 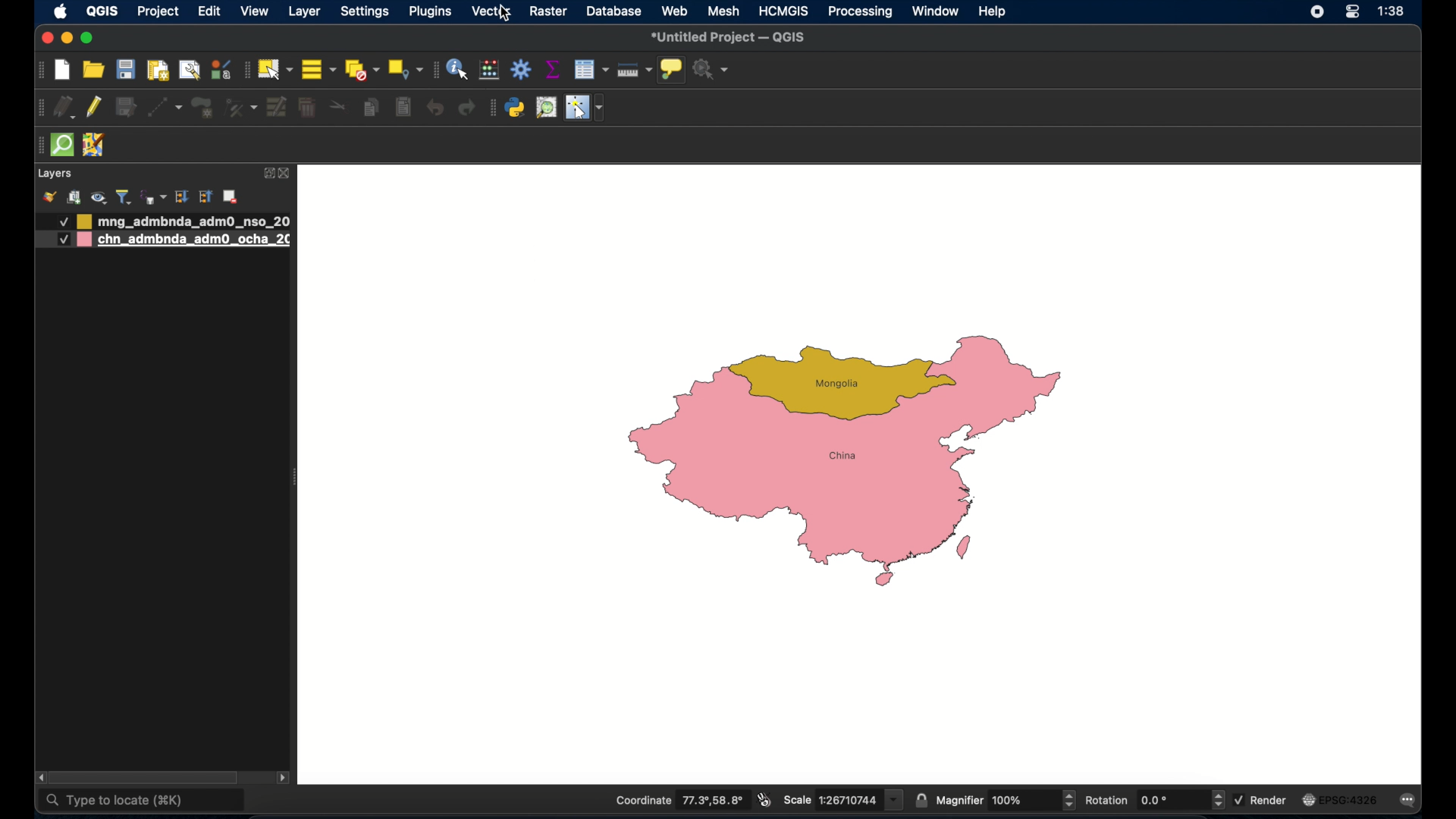 What do you see at coordinates (671, 69) in the screenshot?
I see `show map tips` at bounding box center [671, 69].